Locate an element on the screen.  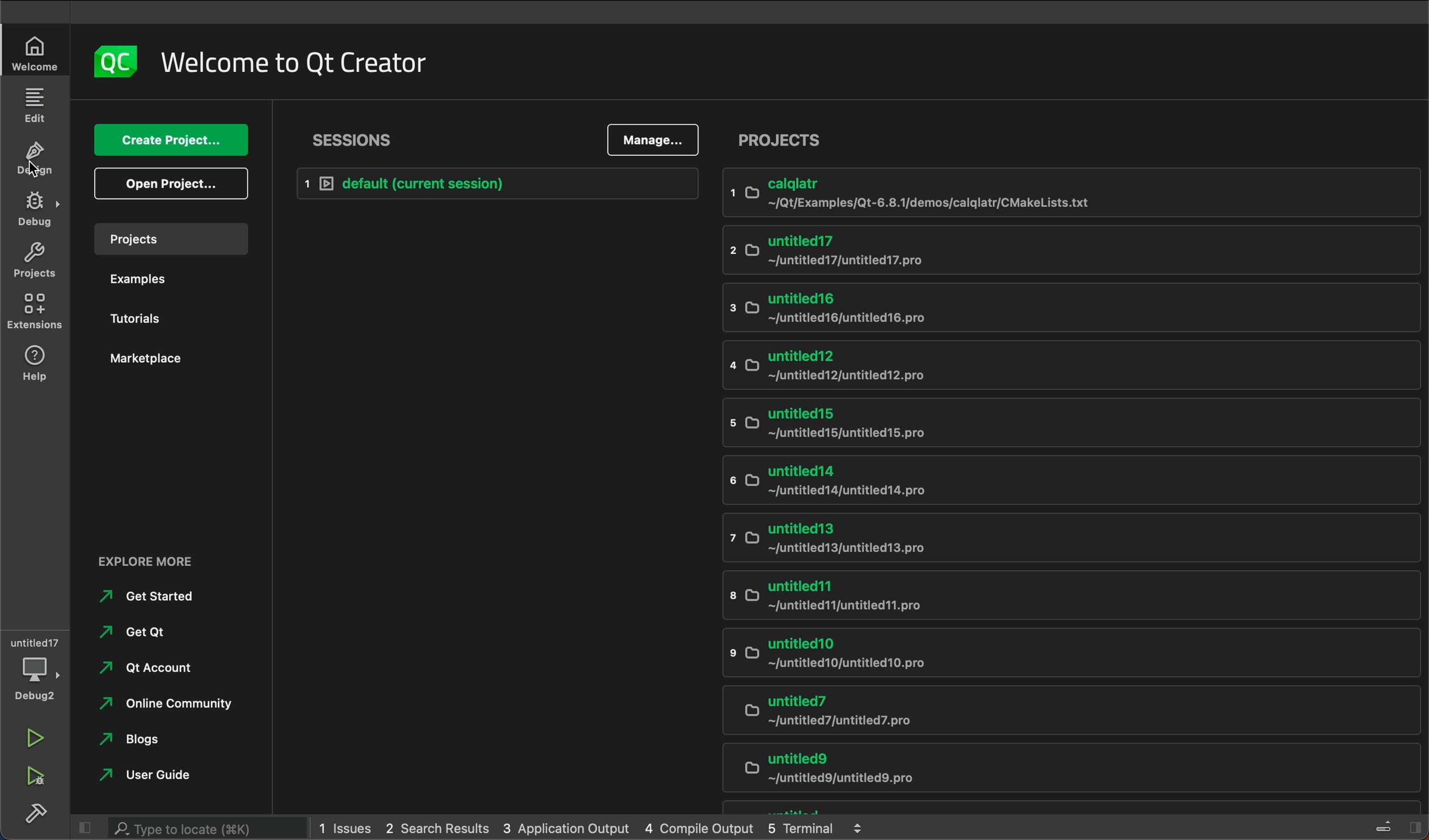
search is located at coordinates (191, 827).